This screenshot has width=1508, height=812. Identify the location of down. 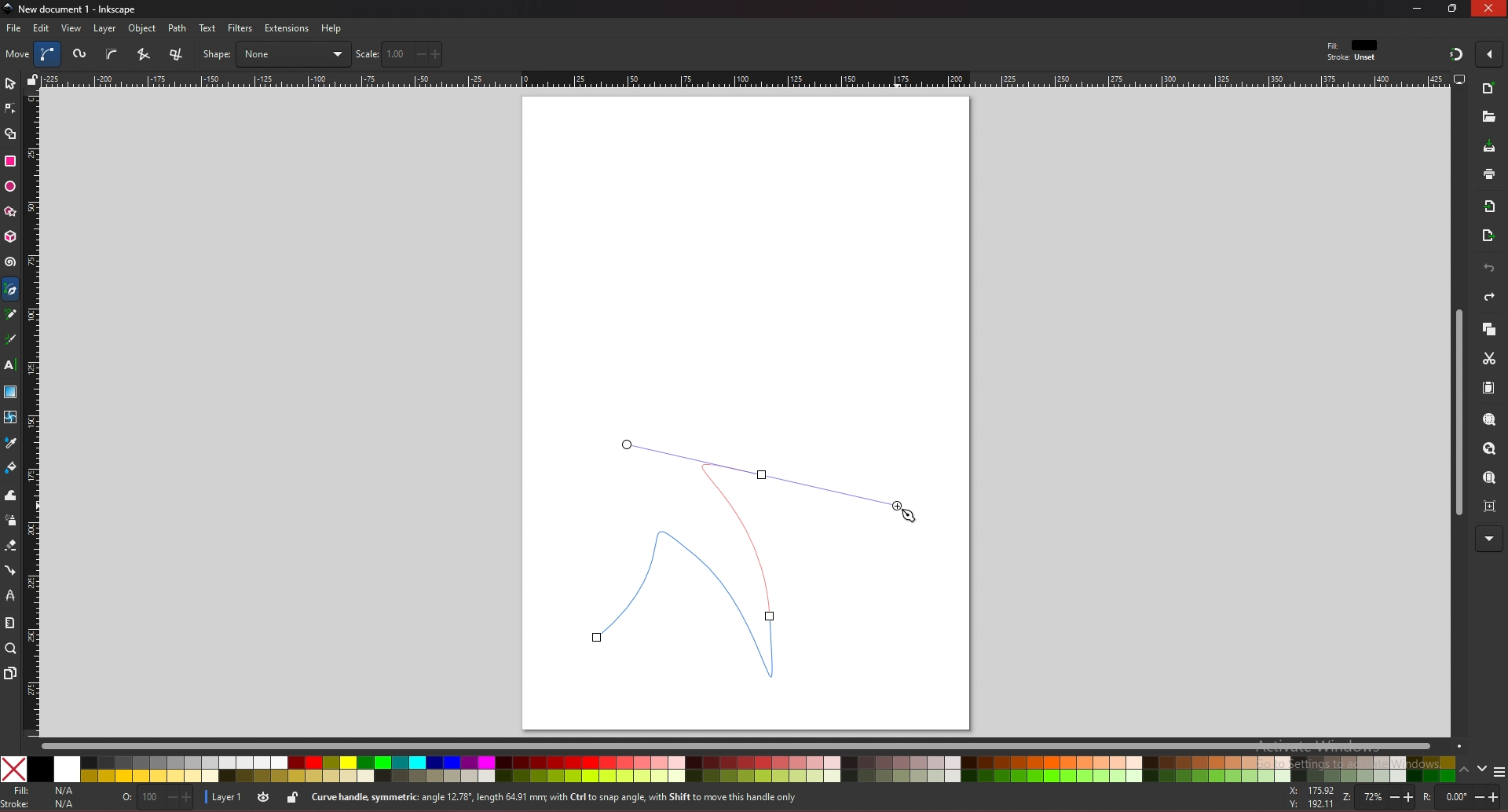
(1483, 769).